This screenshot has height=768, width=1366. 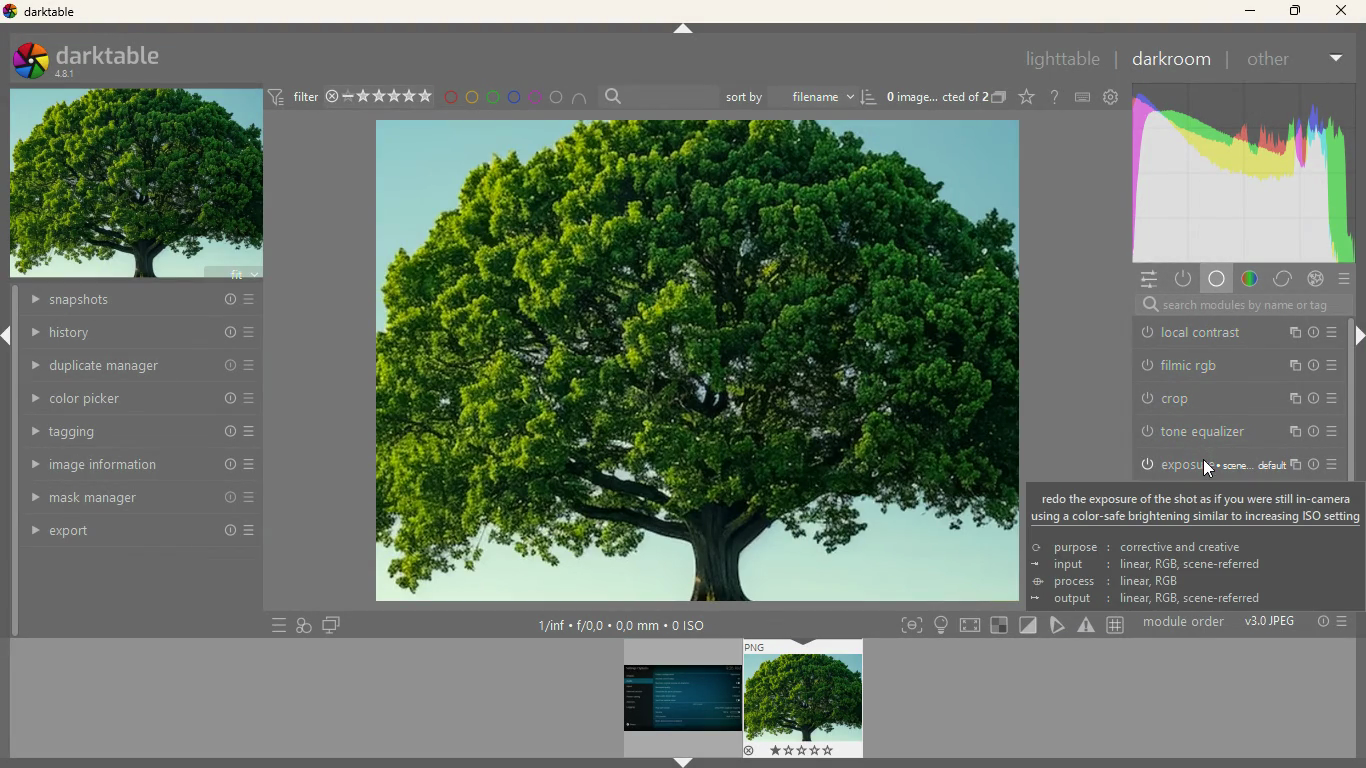 What do you see at coordinates (1024, 98) in the screenshot?
I see `favorite` at bounding box center [1024, 98].